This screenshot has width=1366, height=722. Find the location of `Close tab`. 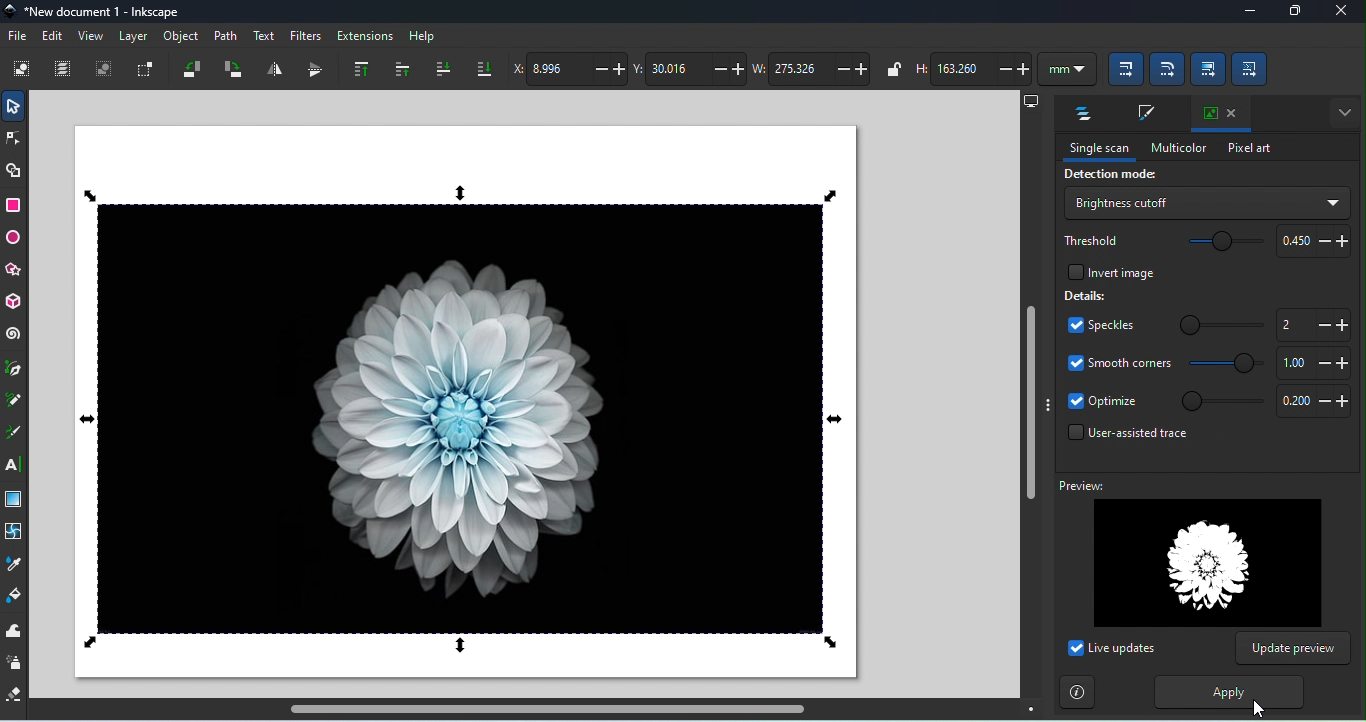

Close tab is located at coordinates (1219, 111).